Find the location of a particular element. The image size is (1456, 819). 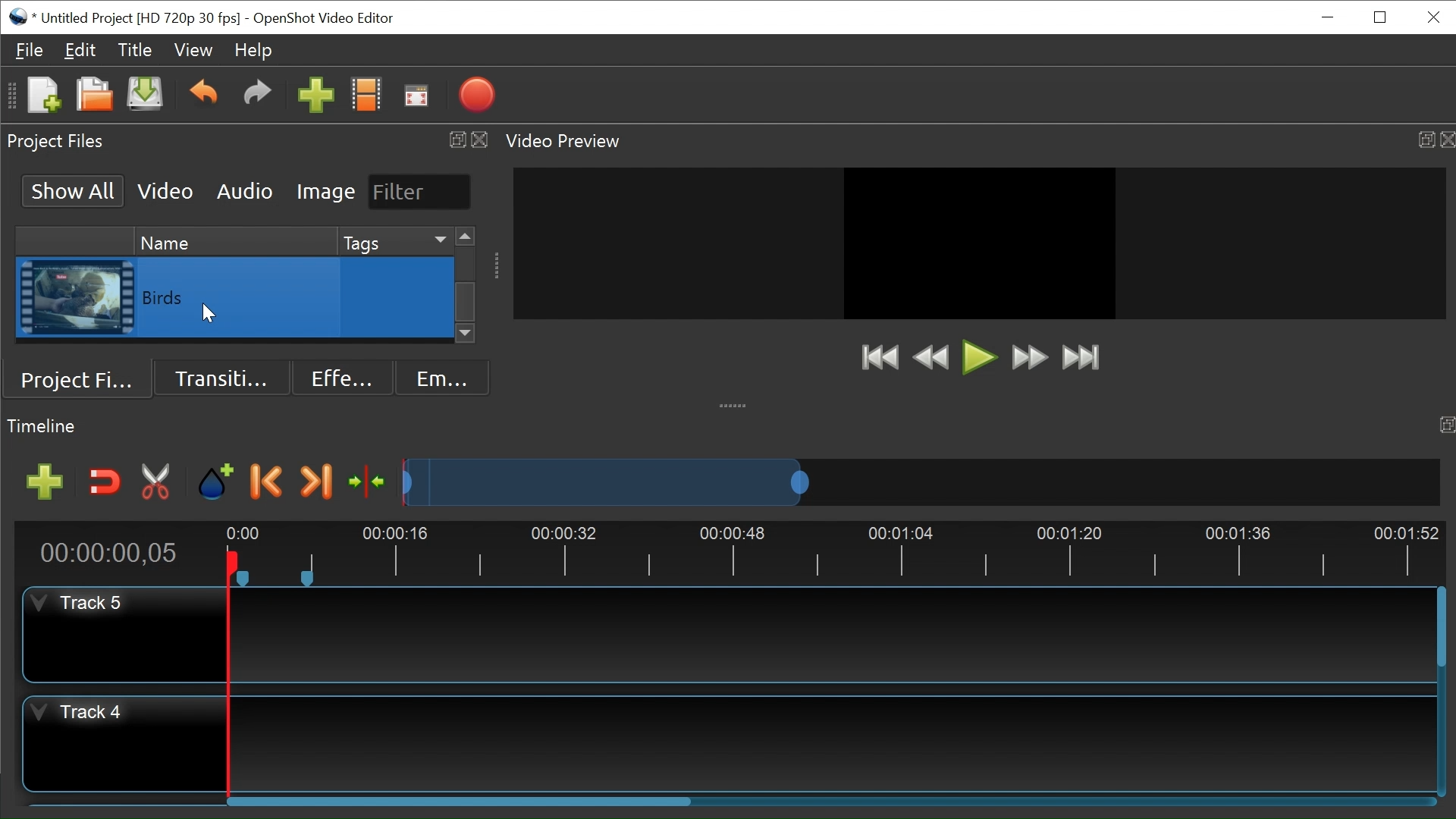

Timeline is located at coordinates (836, 551).